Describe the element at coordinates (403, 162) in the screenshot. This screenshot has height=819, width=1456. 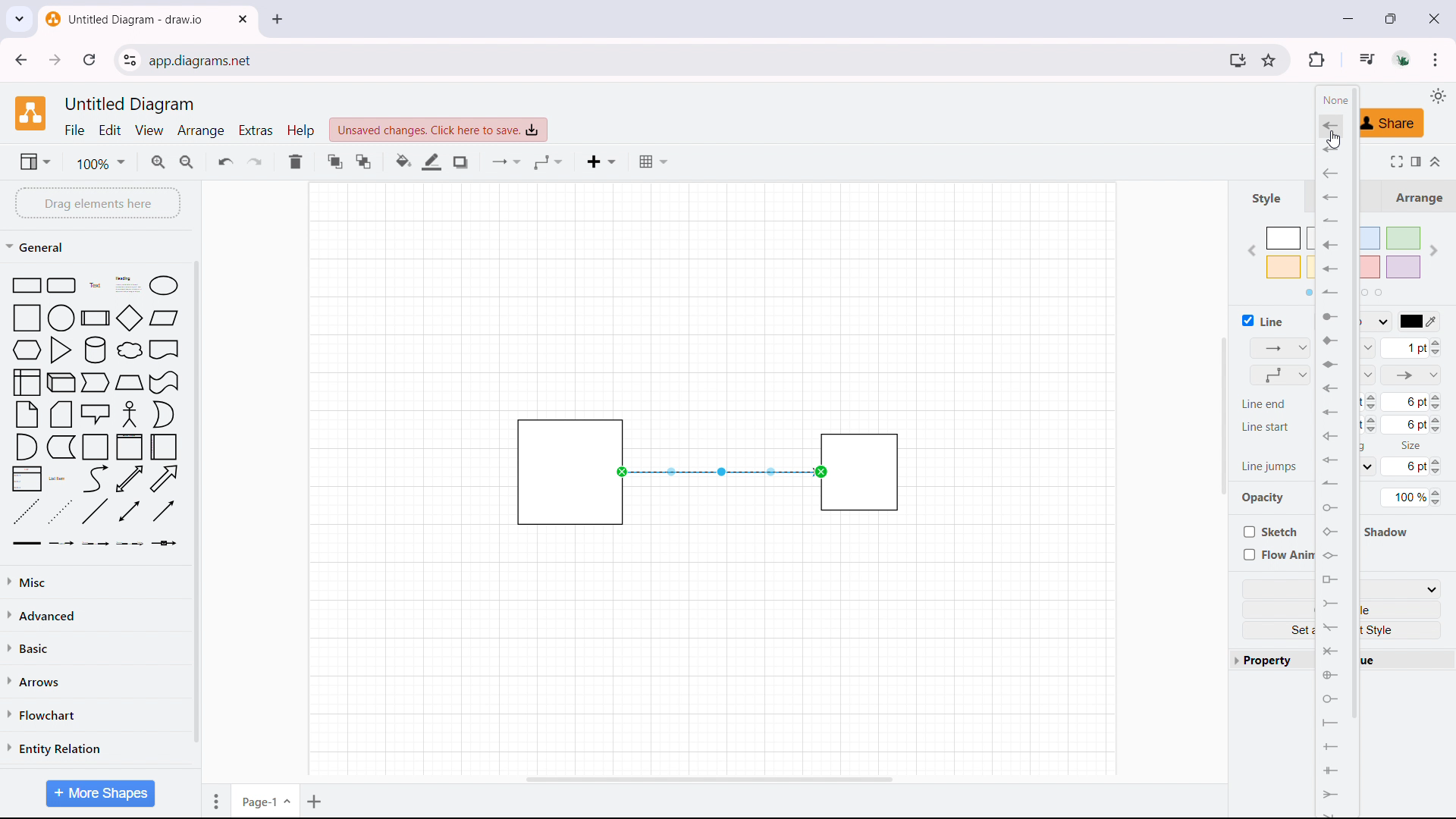
I see `fill color` at that location.